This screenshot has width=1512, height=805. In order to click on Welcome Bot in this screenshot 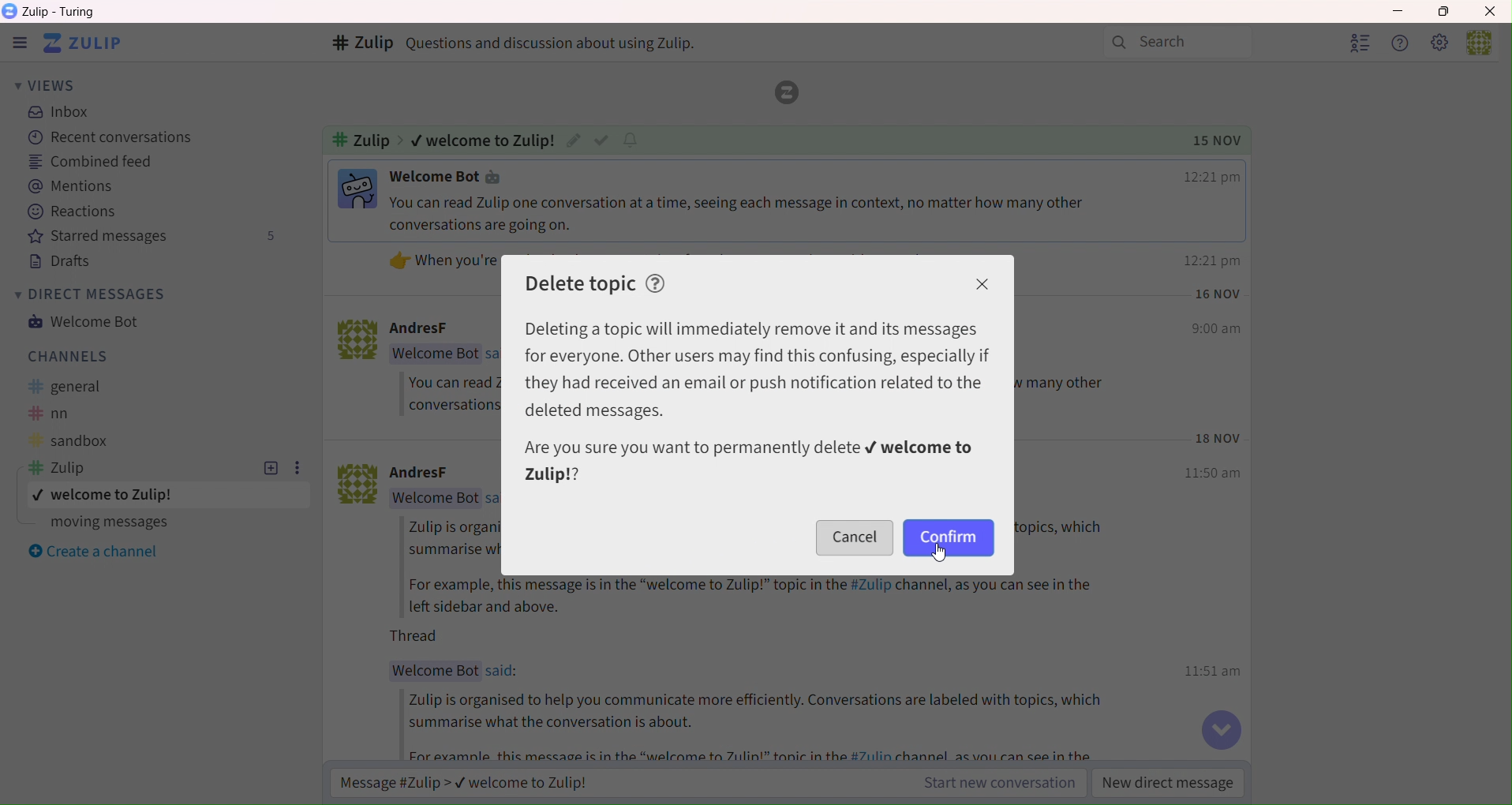, I will do `click(88, 321)`.